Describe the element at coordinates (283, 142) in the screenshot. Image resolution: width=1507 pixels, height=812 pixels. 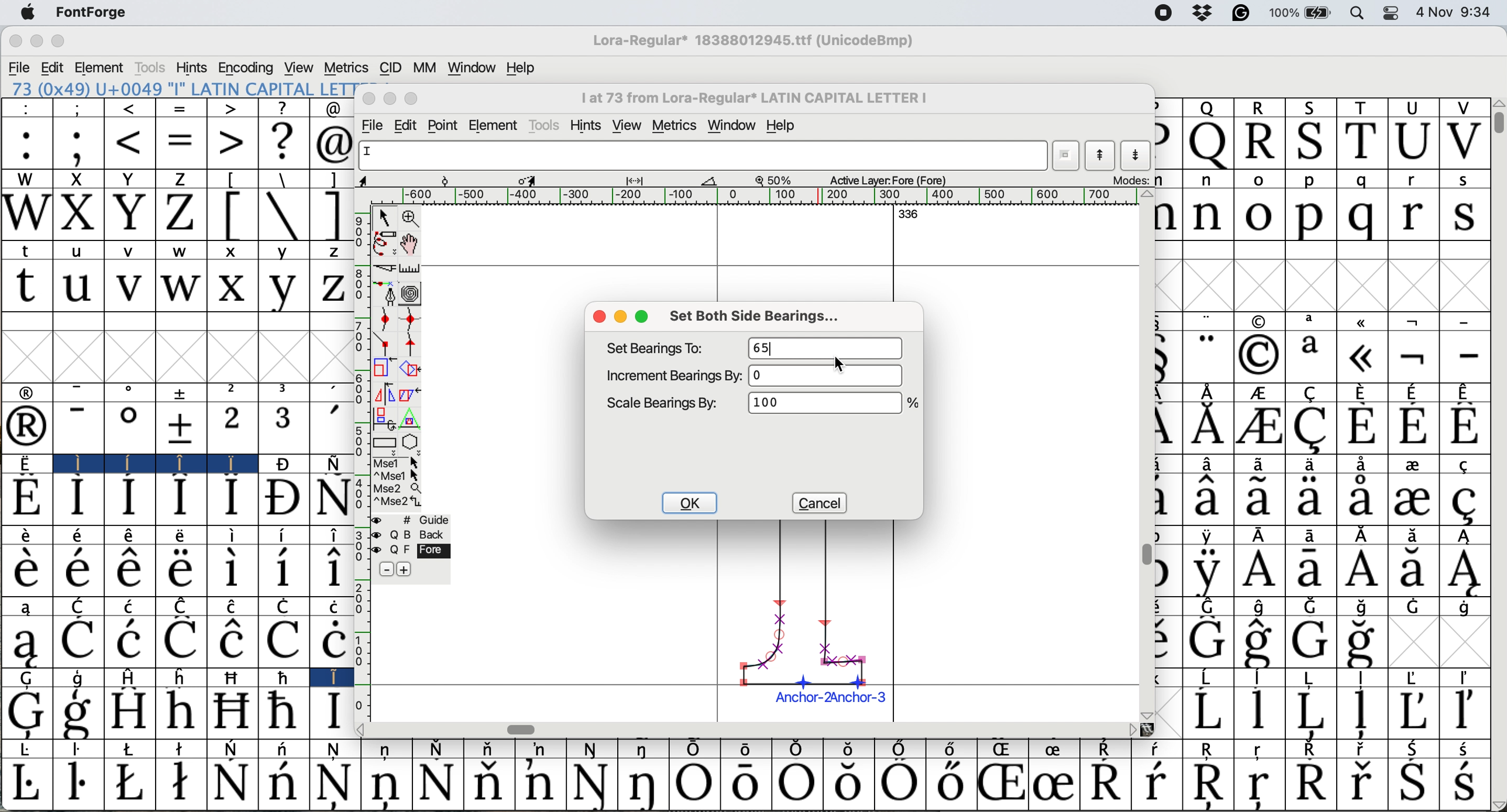
I see `?` at that location.